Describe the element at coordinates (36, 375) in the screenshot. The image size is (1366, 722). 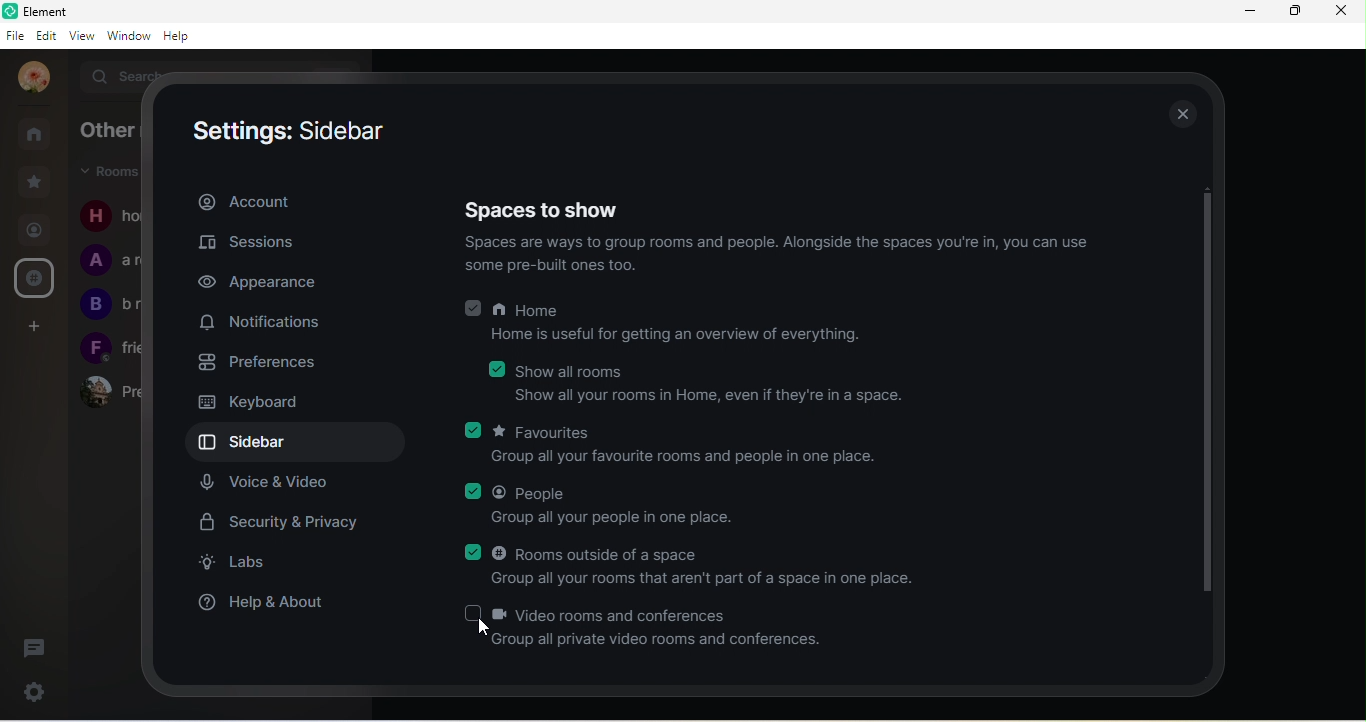
I see `create a space ` at that location.